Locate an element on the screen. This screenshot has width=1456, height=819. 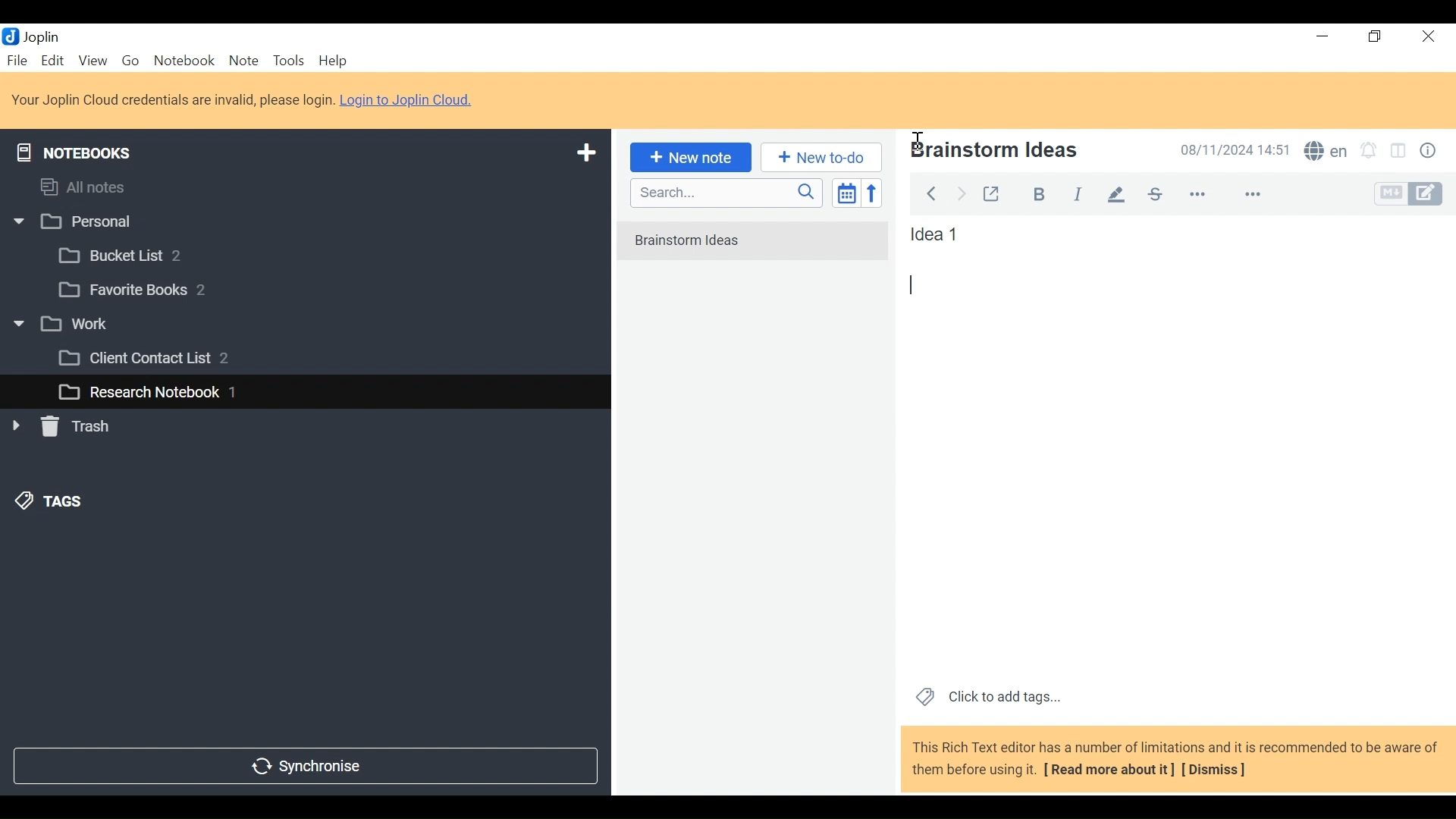
Search is located at coordinates (724, 193).